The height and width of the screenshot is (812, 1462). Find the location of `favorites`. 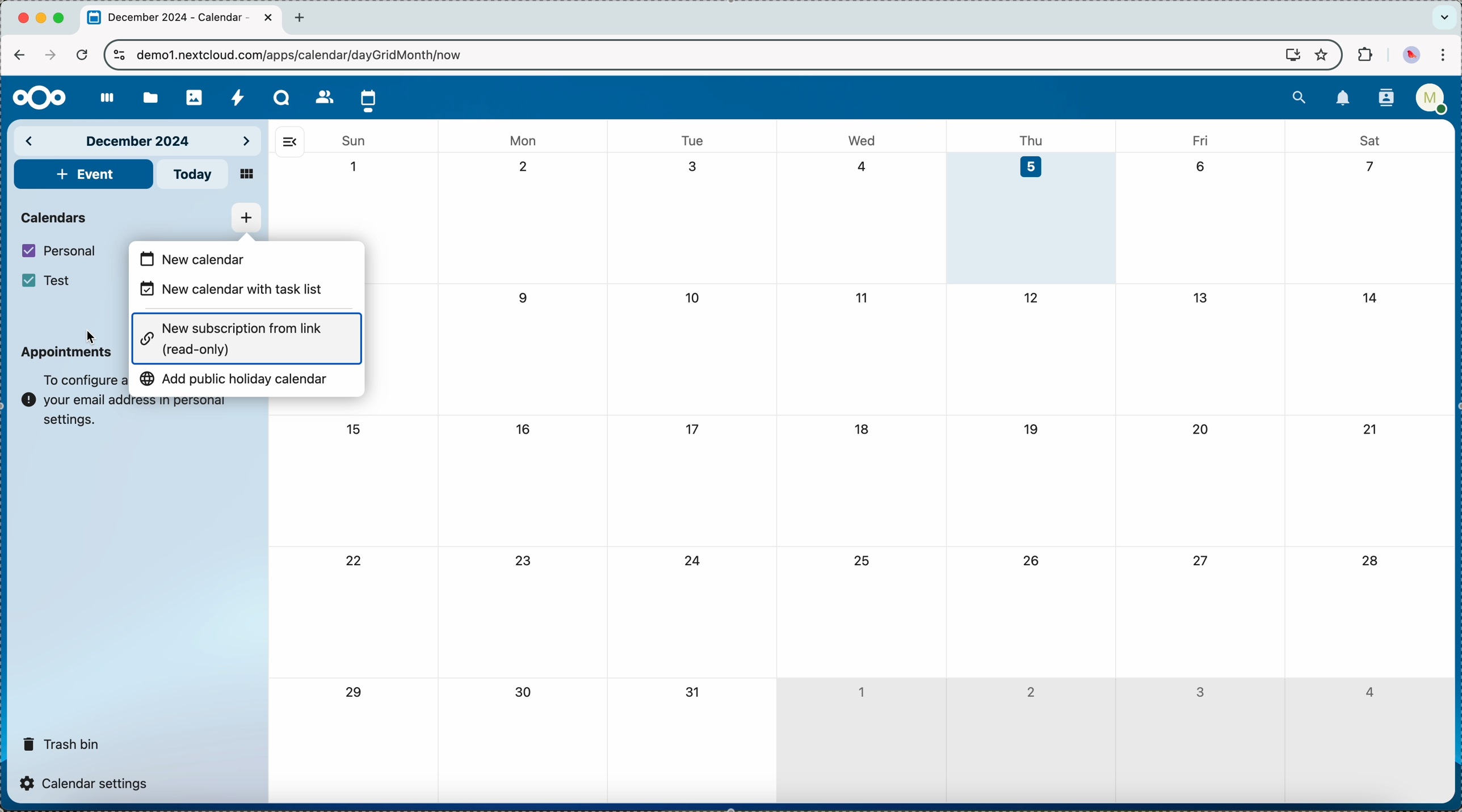

favorites is located at coordinates (1320, 54).